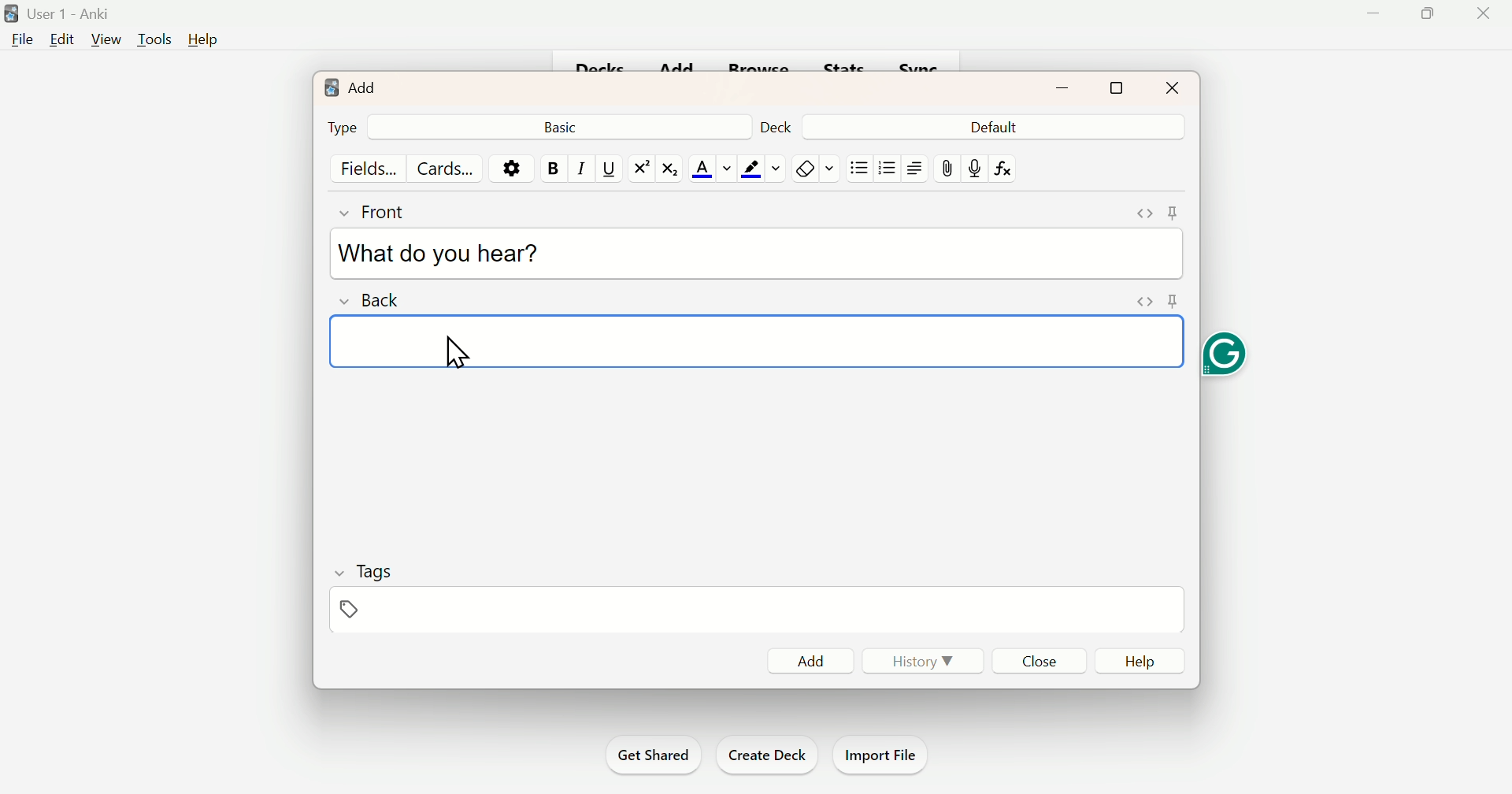  What do you see at coordinates (1374, 17) in the screenshot?
I see `Minimize` at bounding box center [1374, 17].